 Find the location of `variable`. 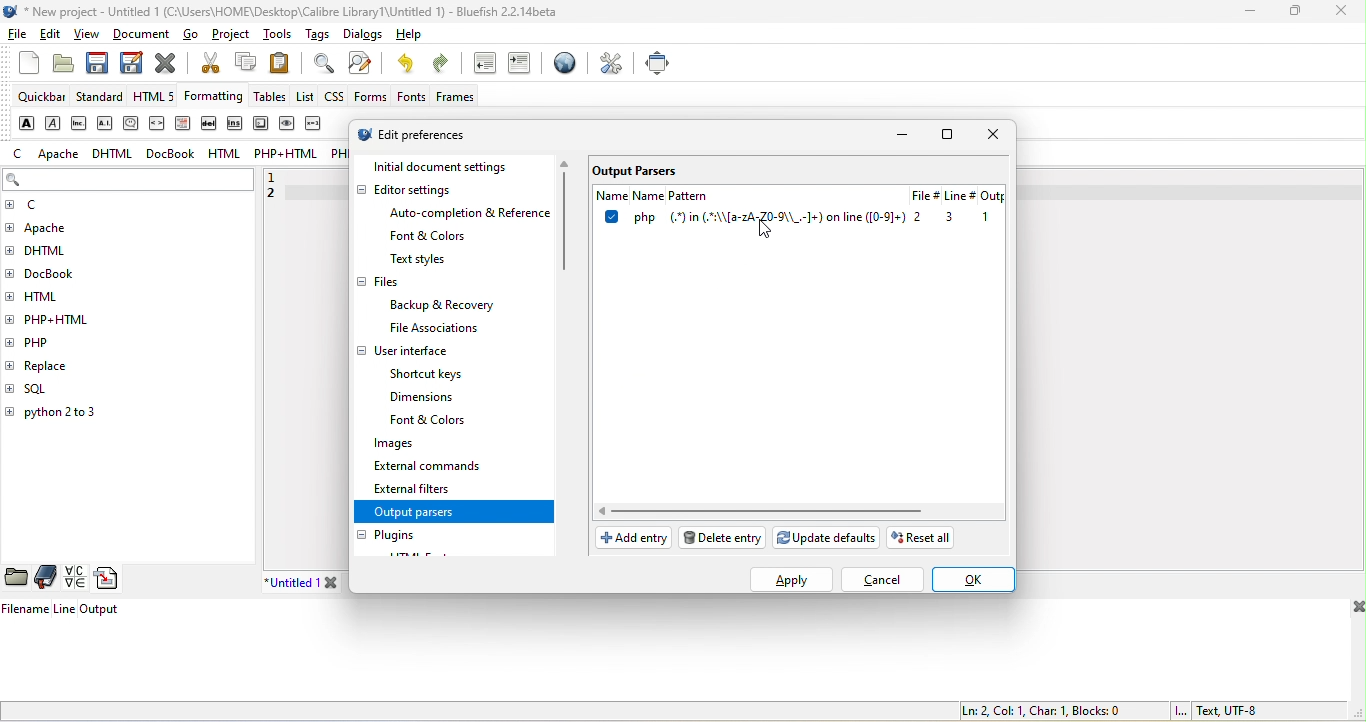

variable is located at coordinates (317, 124).